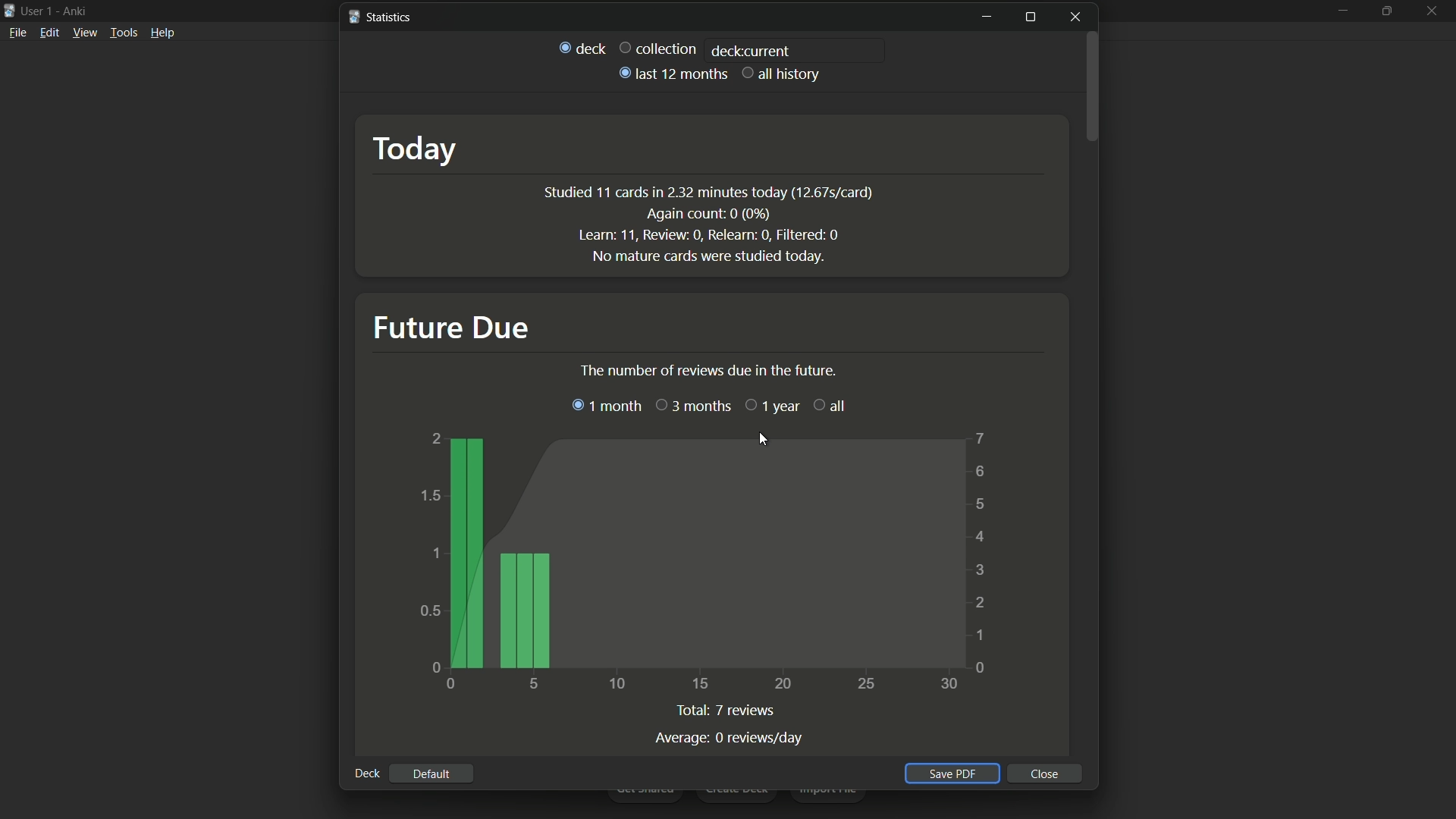 This screenshot has width=1456, height=819. Describe the element at coordinates (74, 11) in the screenshot. I see `app name` at that location.